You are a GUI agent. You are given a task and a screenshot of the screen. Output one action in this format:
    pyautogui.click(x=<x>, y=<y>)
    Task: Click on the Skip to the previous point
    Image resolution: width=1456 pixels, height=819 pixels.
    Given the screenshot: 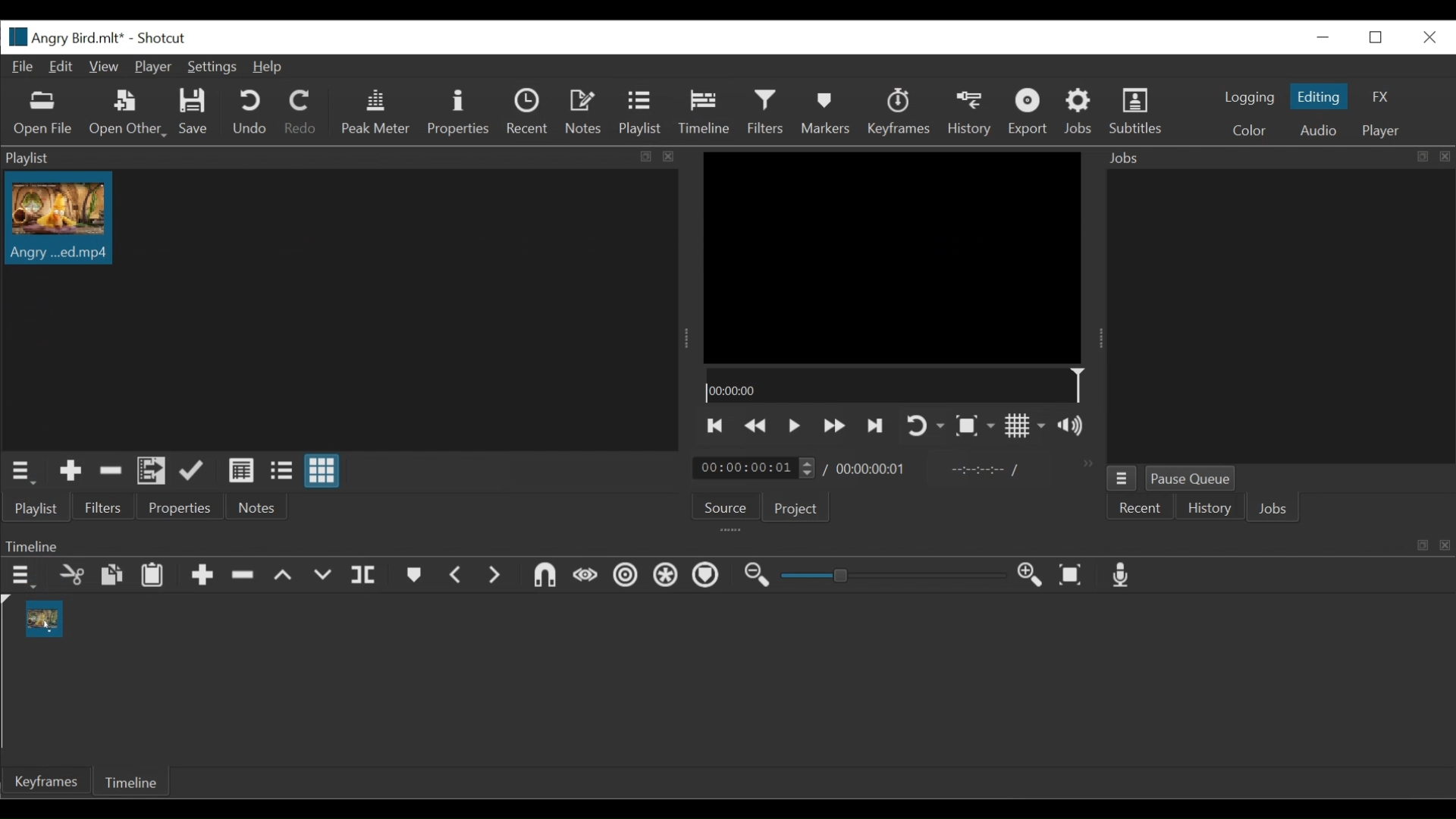 What is the action you would take?
    pyautogui.click(x=717, y=426)
    